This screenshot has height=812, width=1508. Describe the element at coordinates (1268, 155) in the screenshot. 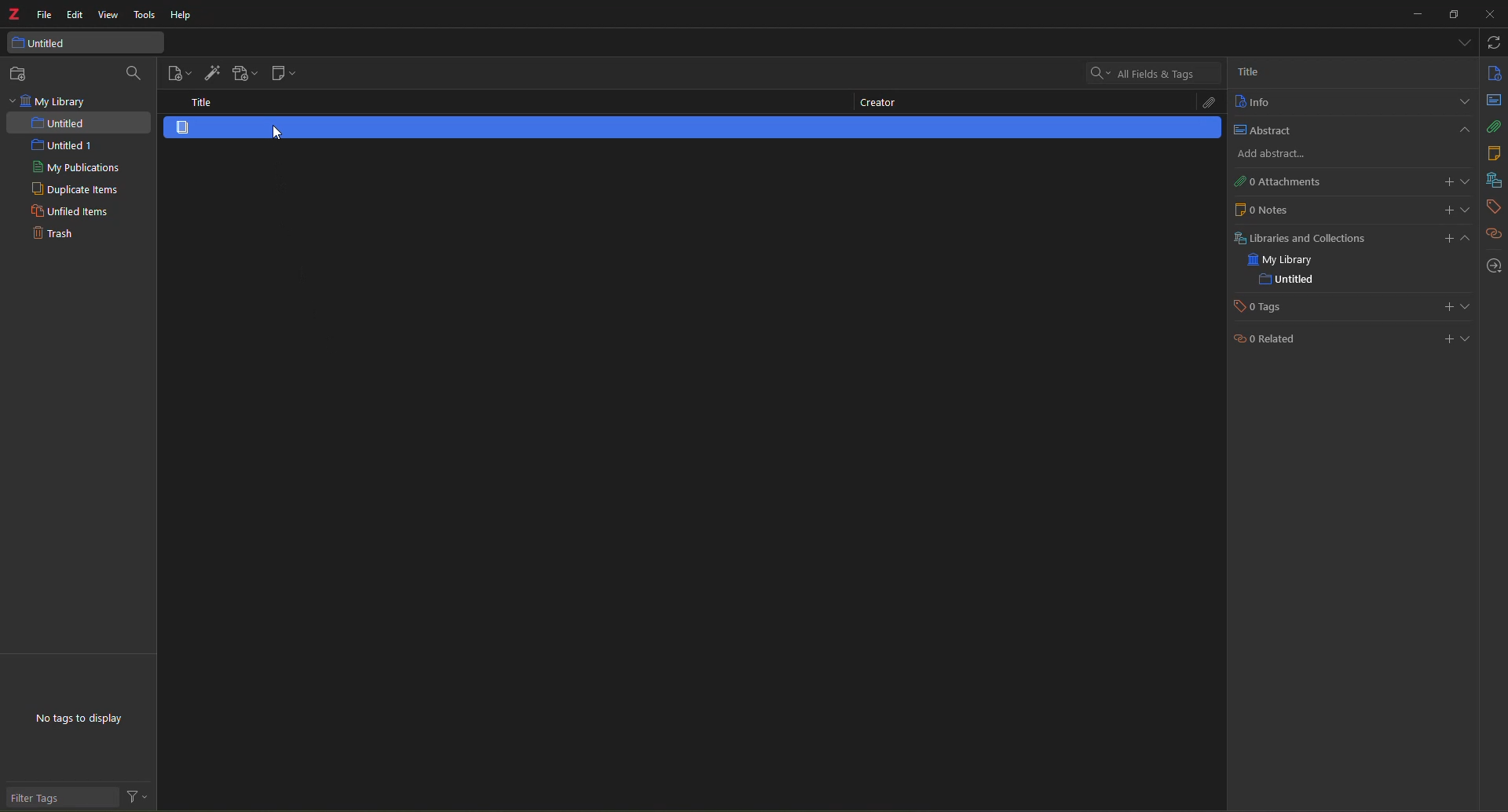

I see `add` at that location.